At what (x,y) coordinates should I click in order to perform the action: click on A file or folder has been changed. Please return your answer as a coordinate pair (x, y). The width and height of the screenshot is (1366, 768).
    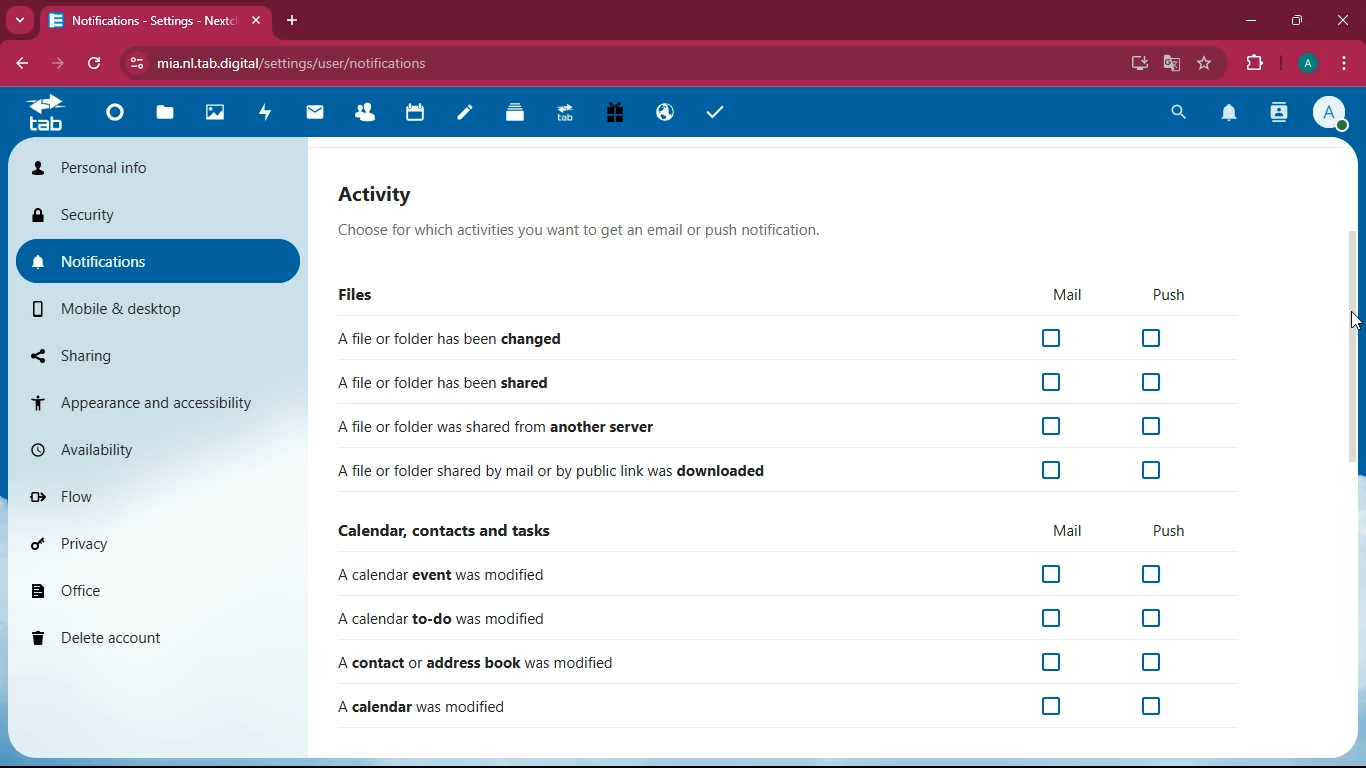
    Looking at the image, I should click on (760, 338).